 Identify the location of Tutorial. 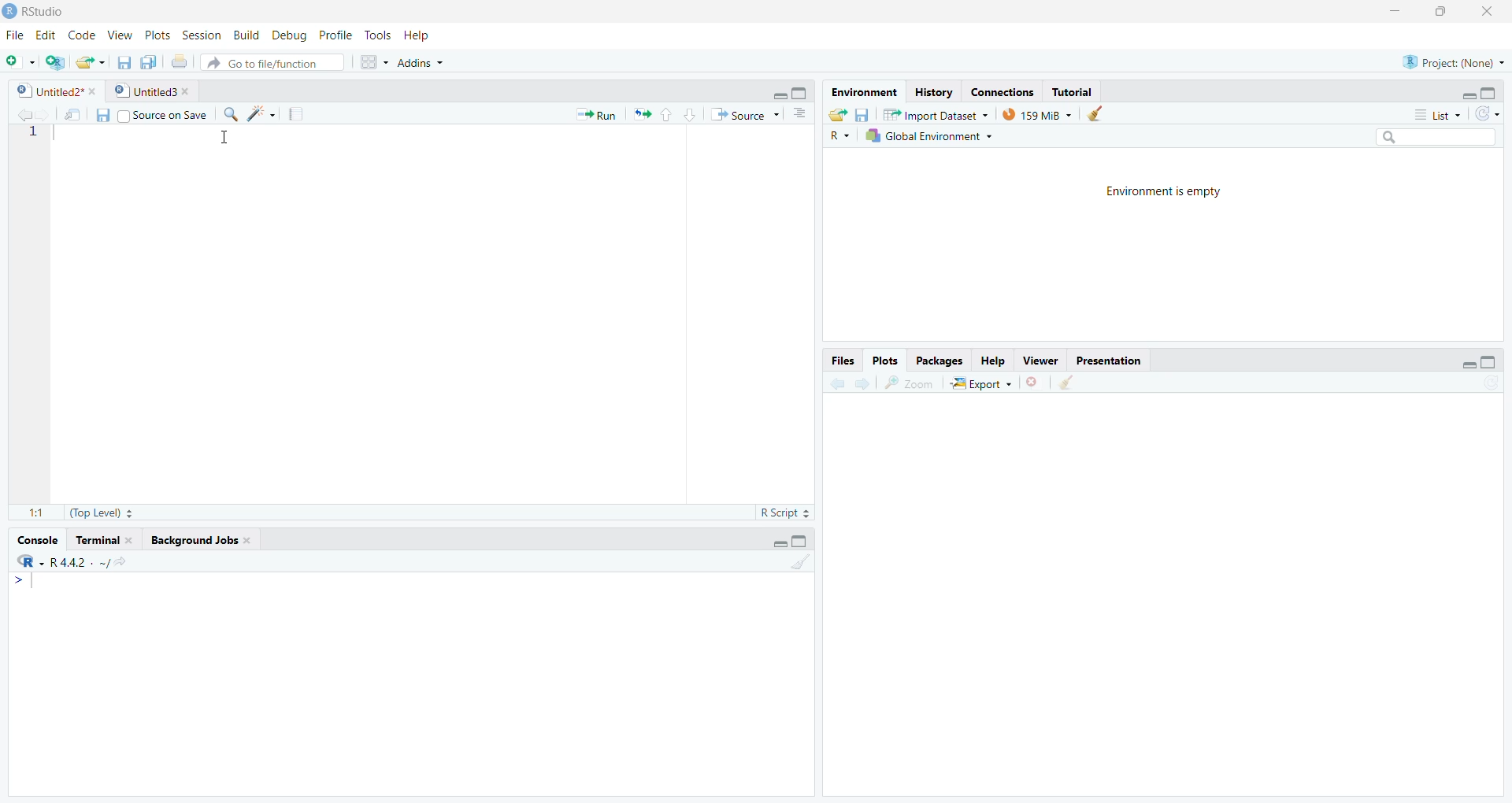
(1070, 92).